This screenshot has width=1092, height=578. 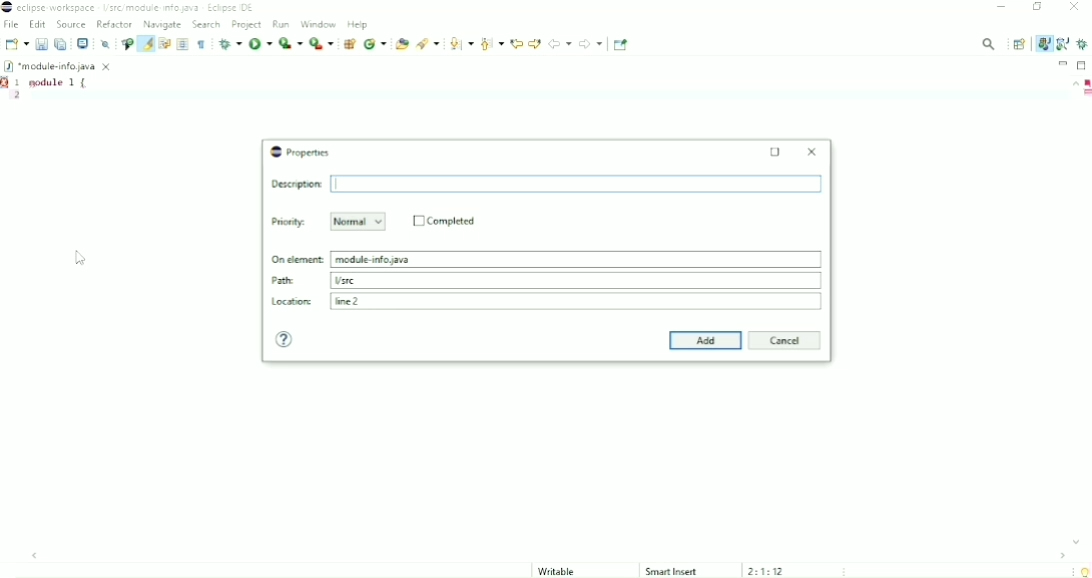 What do you see at coordinates (623, 44) in the screenshot?
I see `Pin Editor` at bounding box center [623, 44].